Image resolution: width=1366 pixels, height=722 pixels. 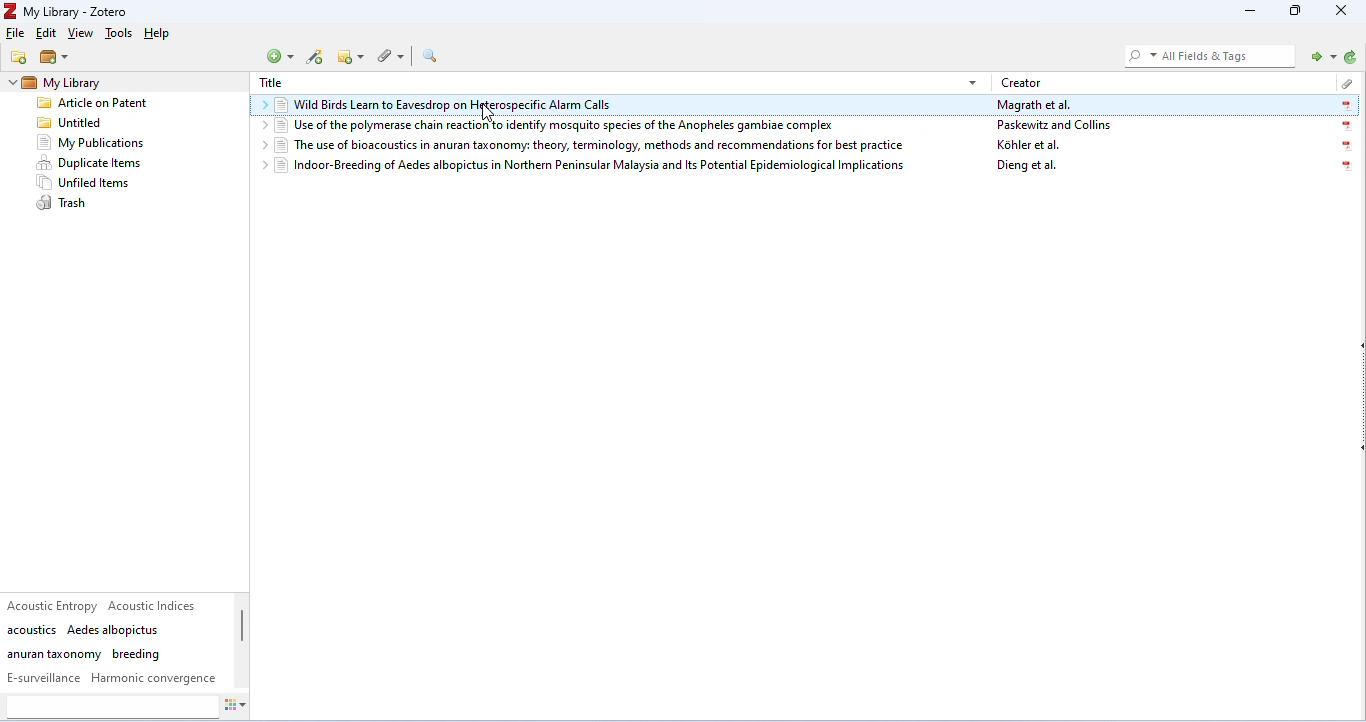 What do you see at coordinates (11, 83) in the screenshot?
I see `drop down` at bounding box center [11, 83].